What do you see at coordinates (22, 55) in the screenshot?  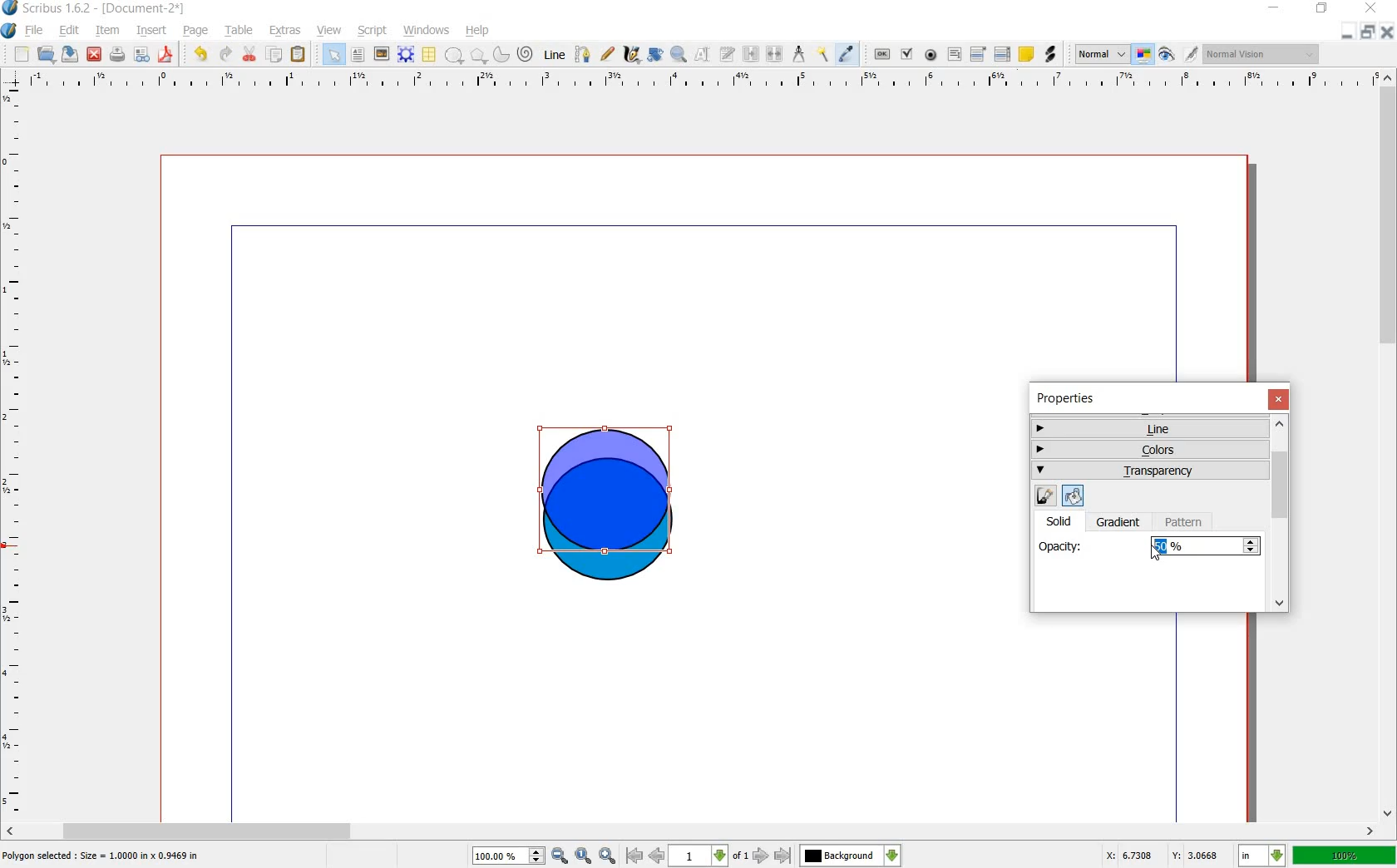 I see `new` at bounding box center [22, 55].